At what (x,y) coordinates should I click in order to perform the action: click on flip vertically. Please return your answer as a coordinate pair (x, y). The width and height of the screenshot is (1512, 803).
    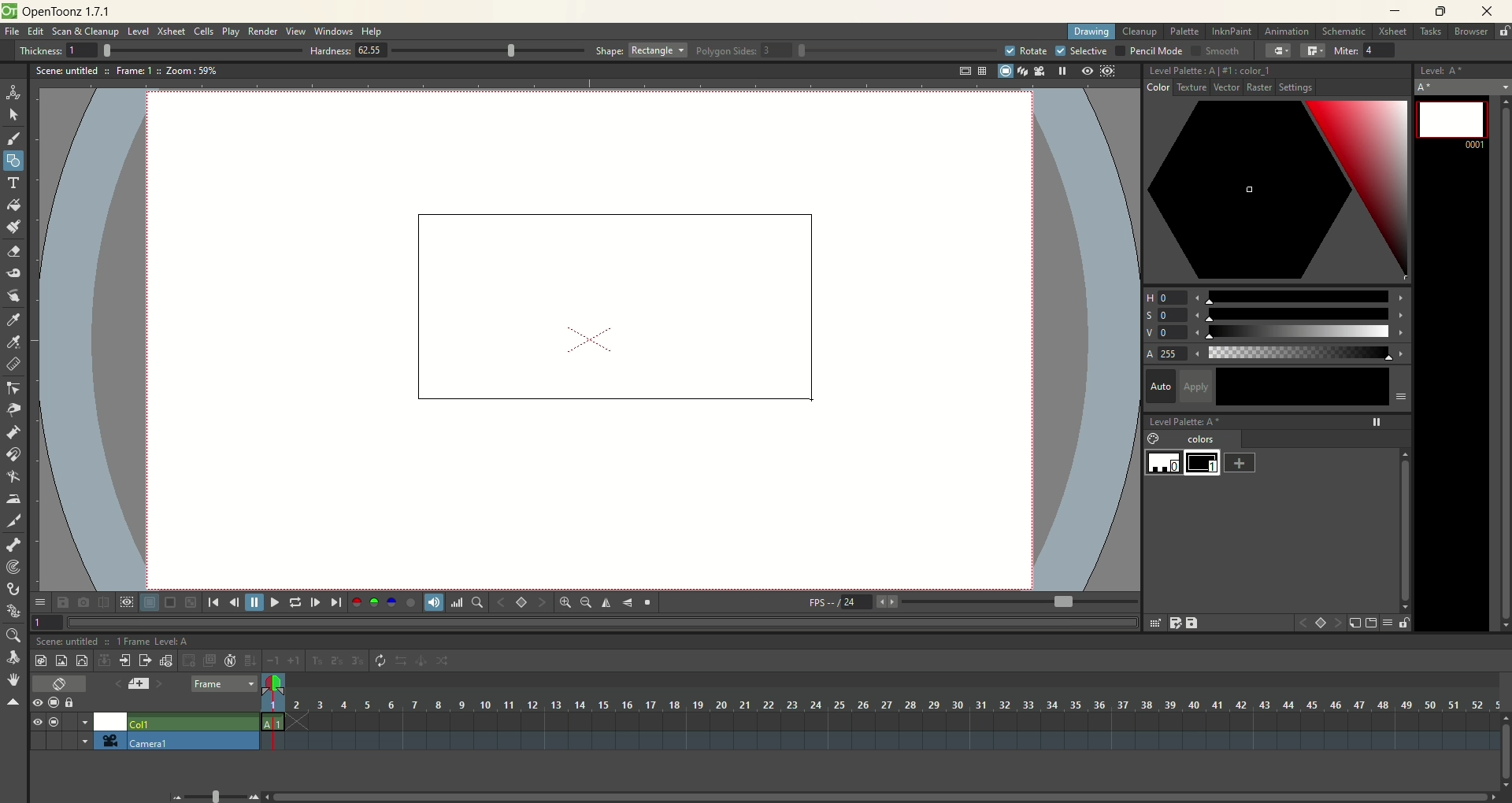
    Looking at the image, I should click on (628, 603).